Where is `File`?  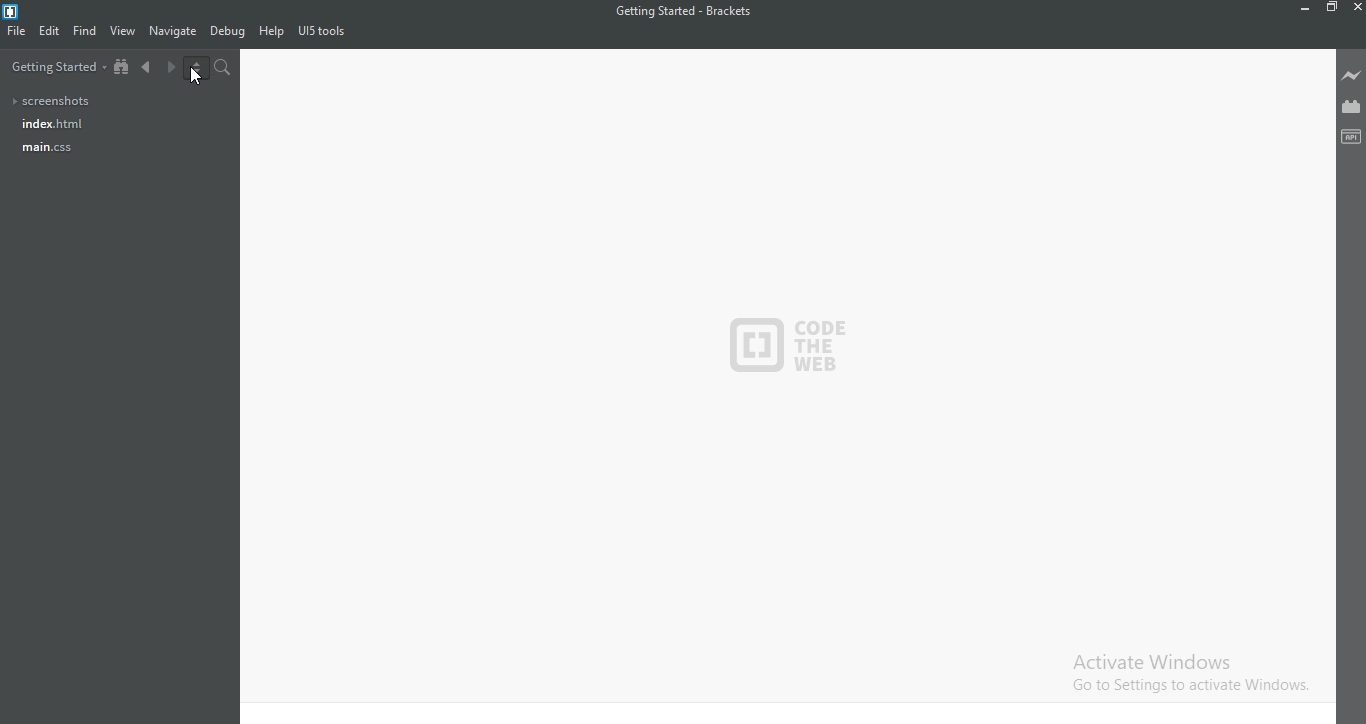 File is located at coordinates (18, 35).